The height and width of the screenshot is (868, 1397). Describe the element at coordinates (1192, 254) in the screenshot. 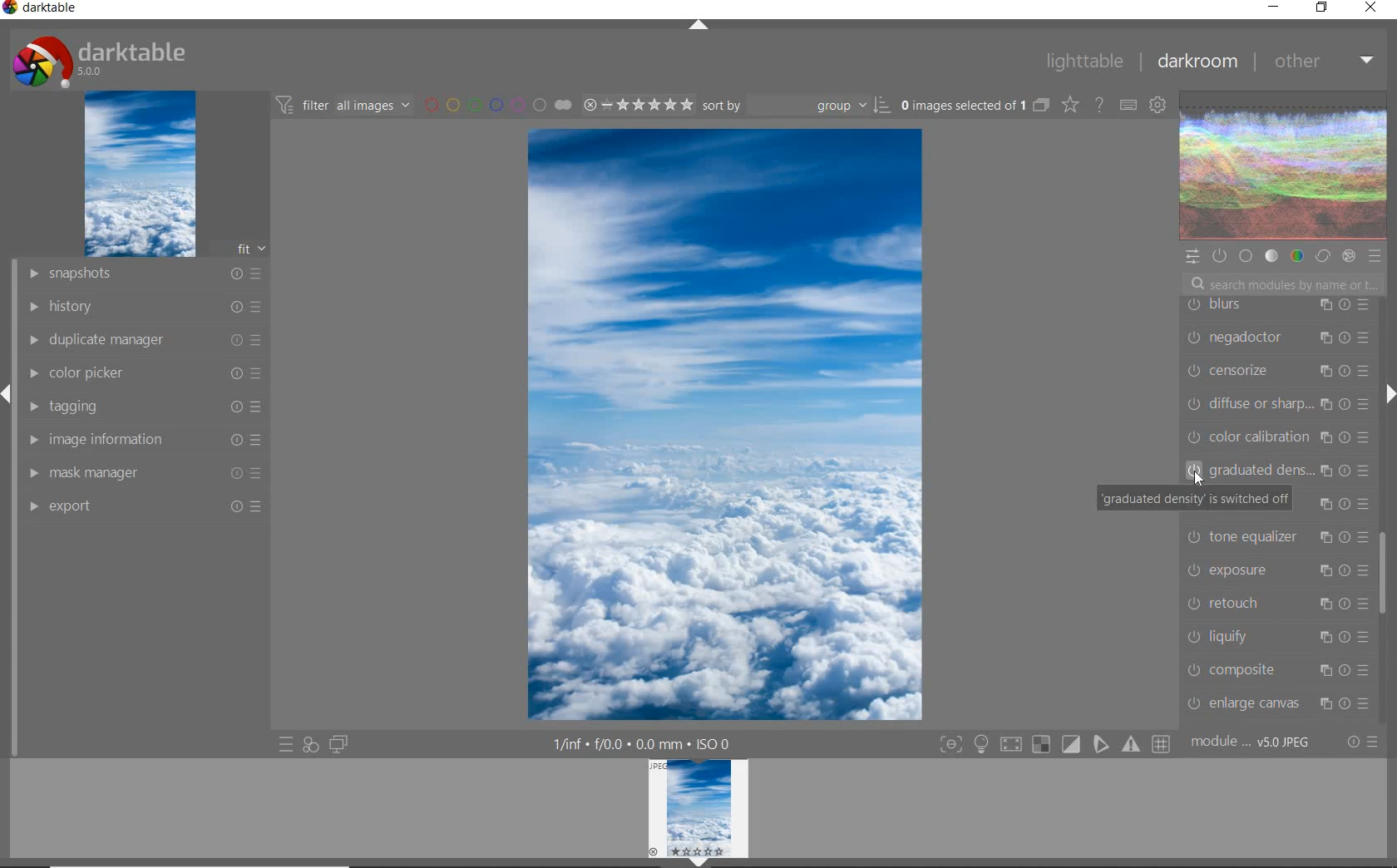

I see `QUICK ACCESS PANEL` at that location.